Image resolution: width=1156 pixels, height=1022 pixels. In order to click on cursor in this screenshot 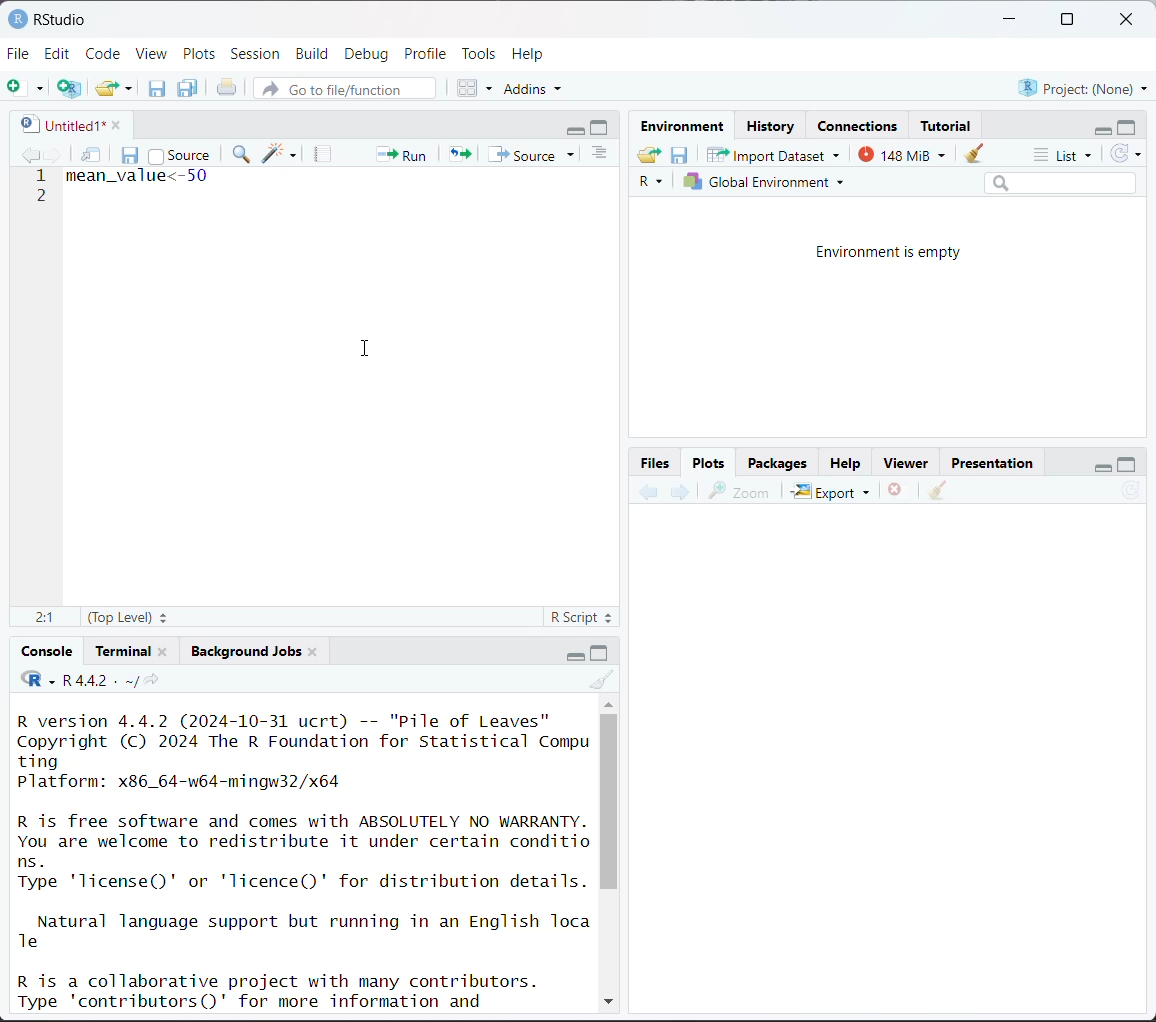, I will do `click(369, 349)`.